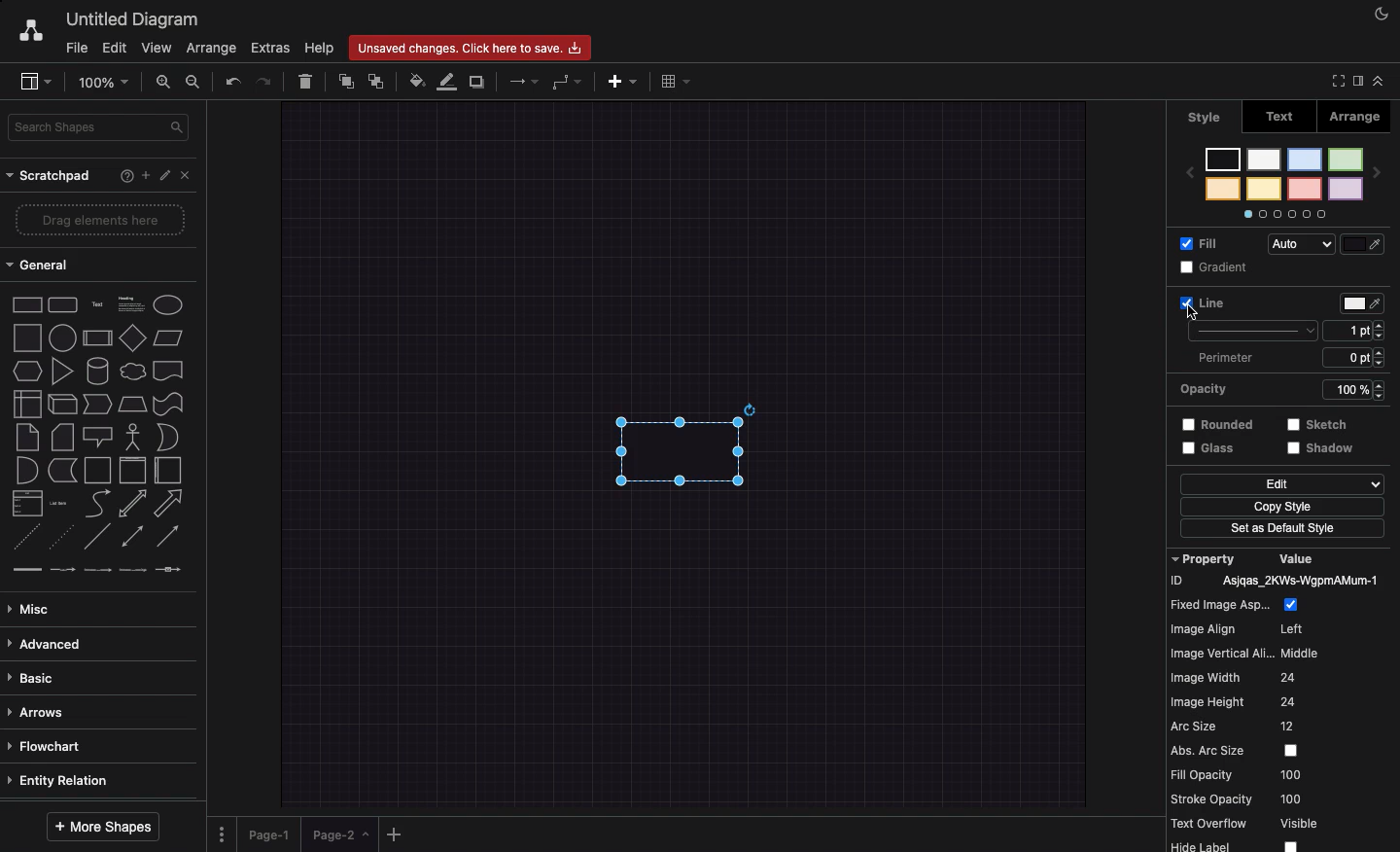  What do you see at coordinates (1364, 115) in the screenshot?
I see `Arrange` at bounding box center [1364, 115].